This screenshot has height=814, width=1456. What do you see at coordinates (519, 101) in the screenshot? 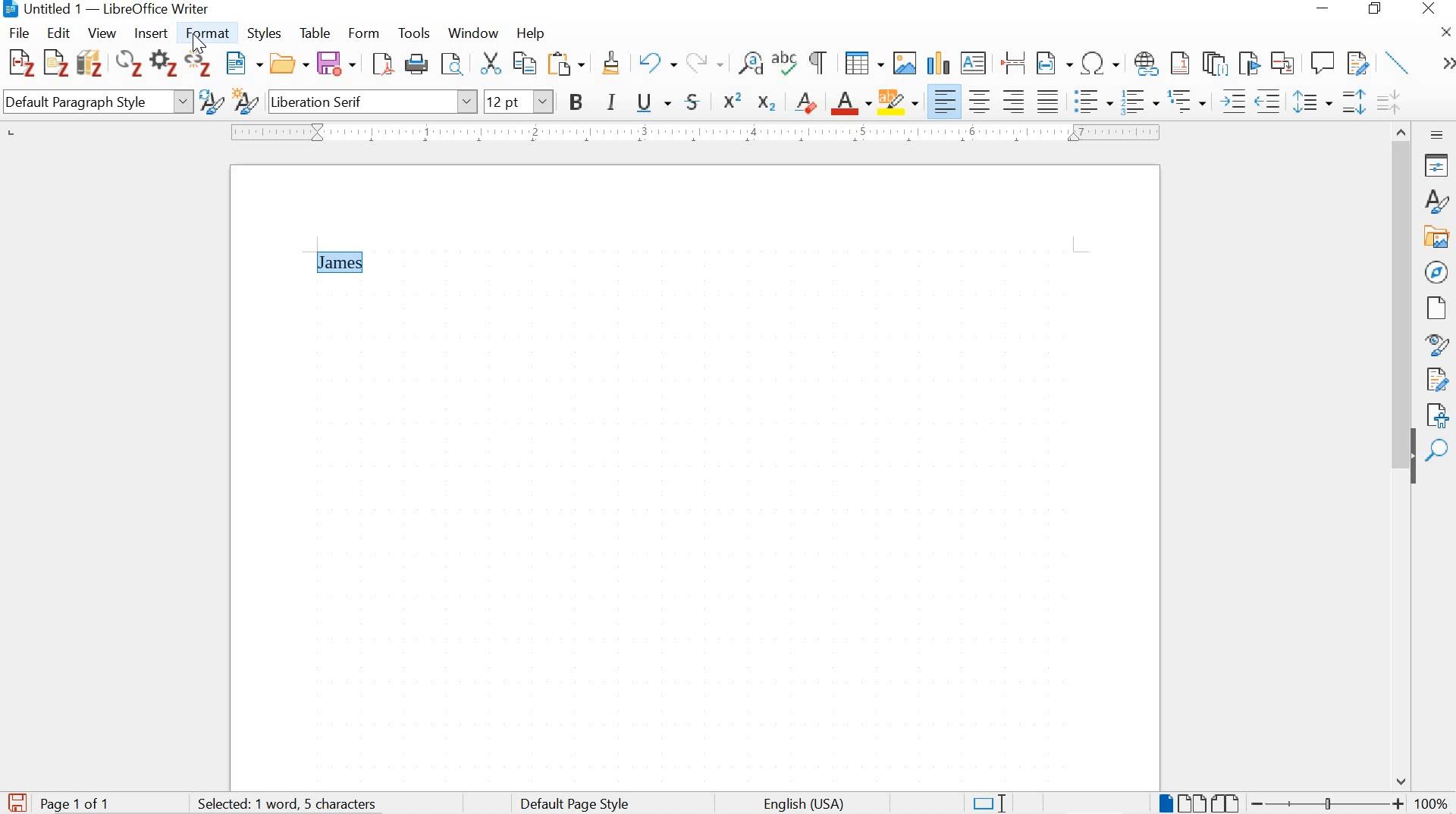
I see `font size` at bounding box center [519, 101].